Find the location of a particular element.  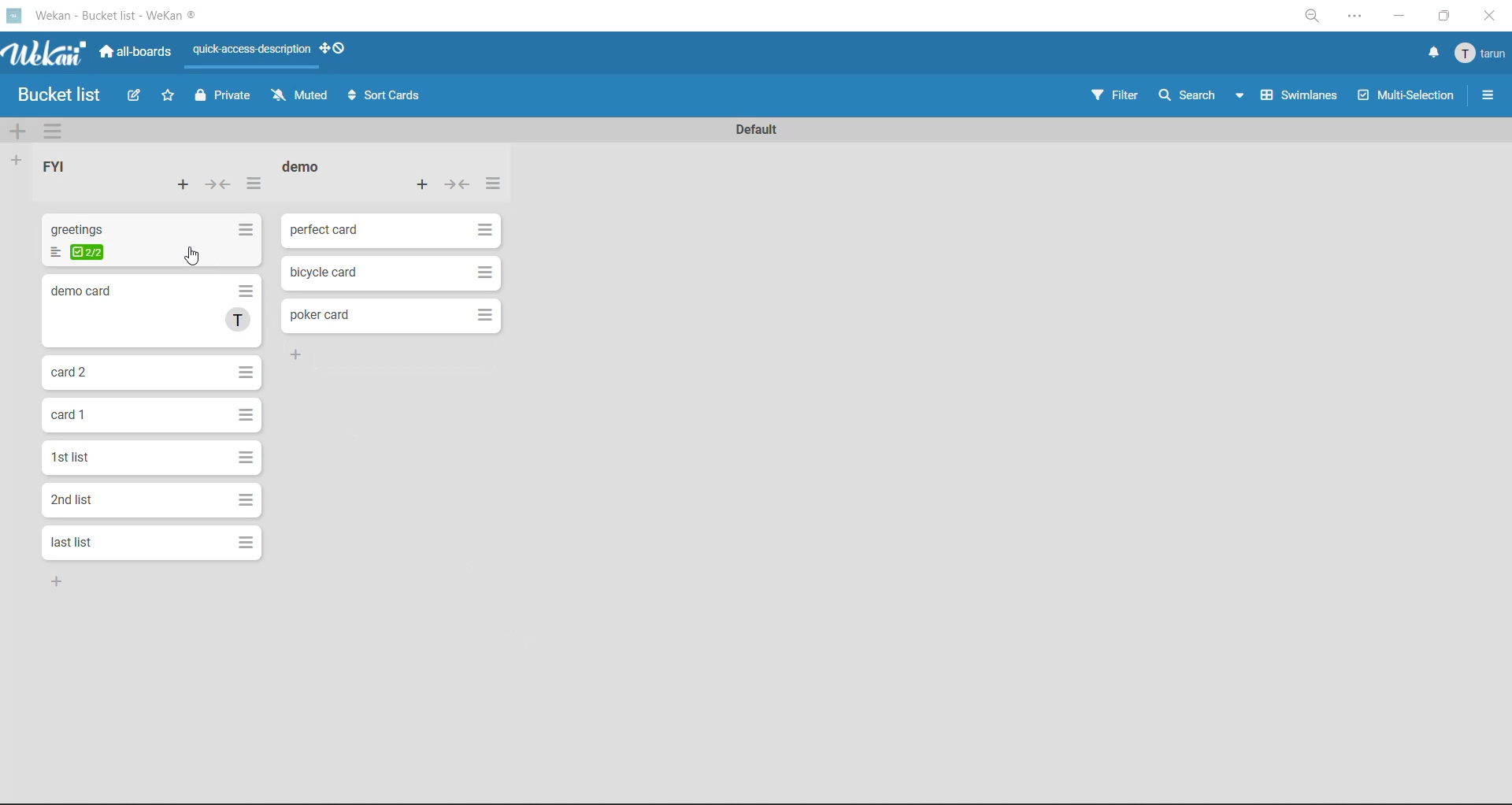

cards is located at coordinates (395, 316).